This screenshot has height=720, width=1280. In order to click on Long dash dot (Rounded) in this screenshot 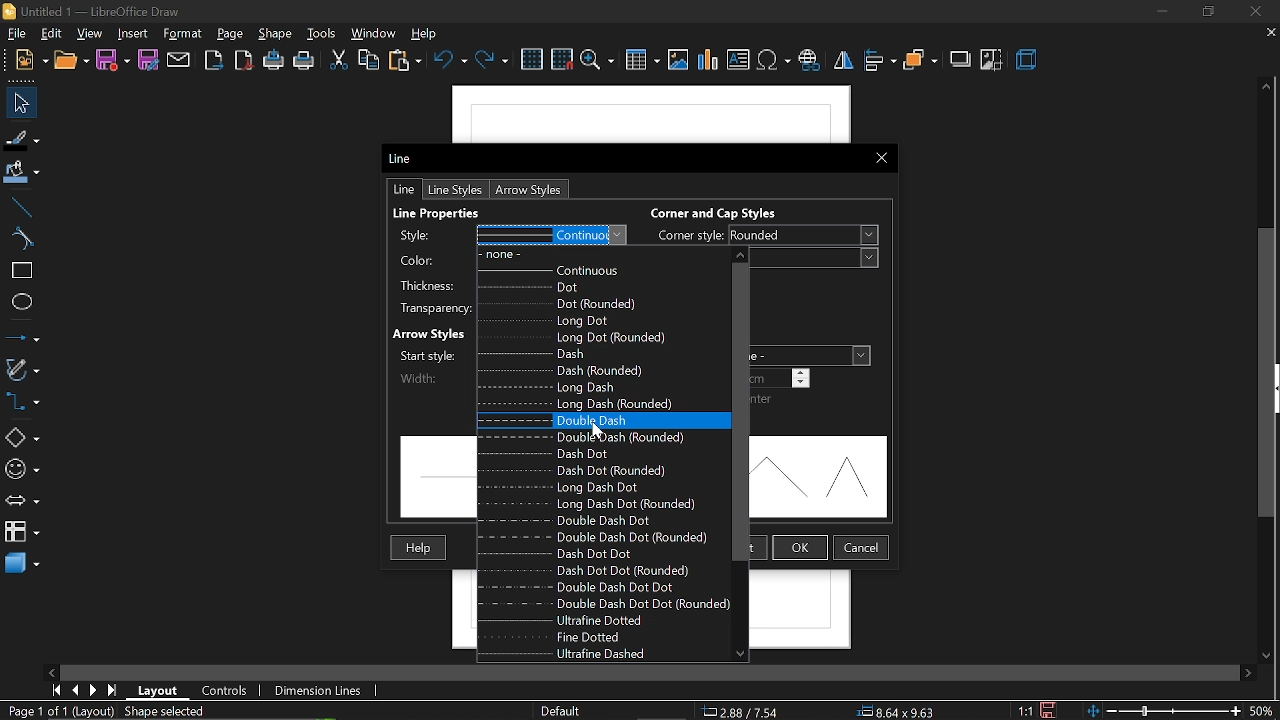, I will do `click(596, 504)`.